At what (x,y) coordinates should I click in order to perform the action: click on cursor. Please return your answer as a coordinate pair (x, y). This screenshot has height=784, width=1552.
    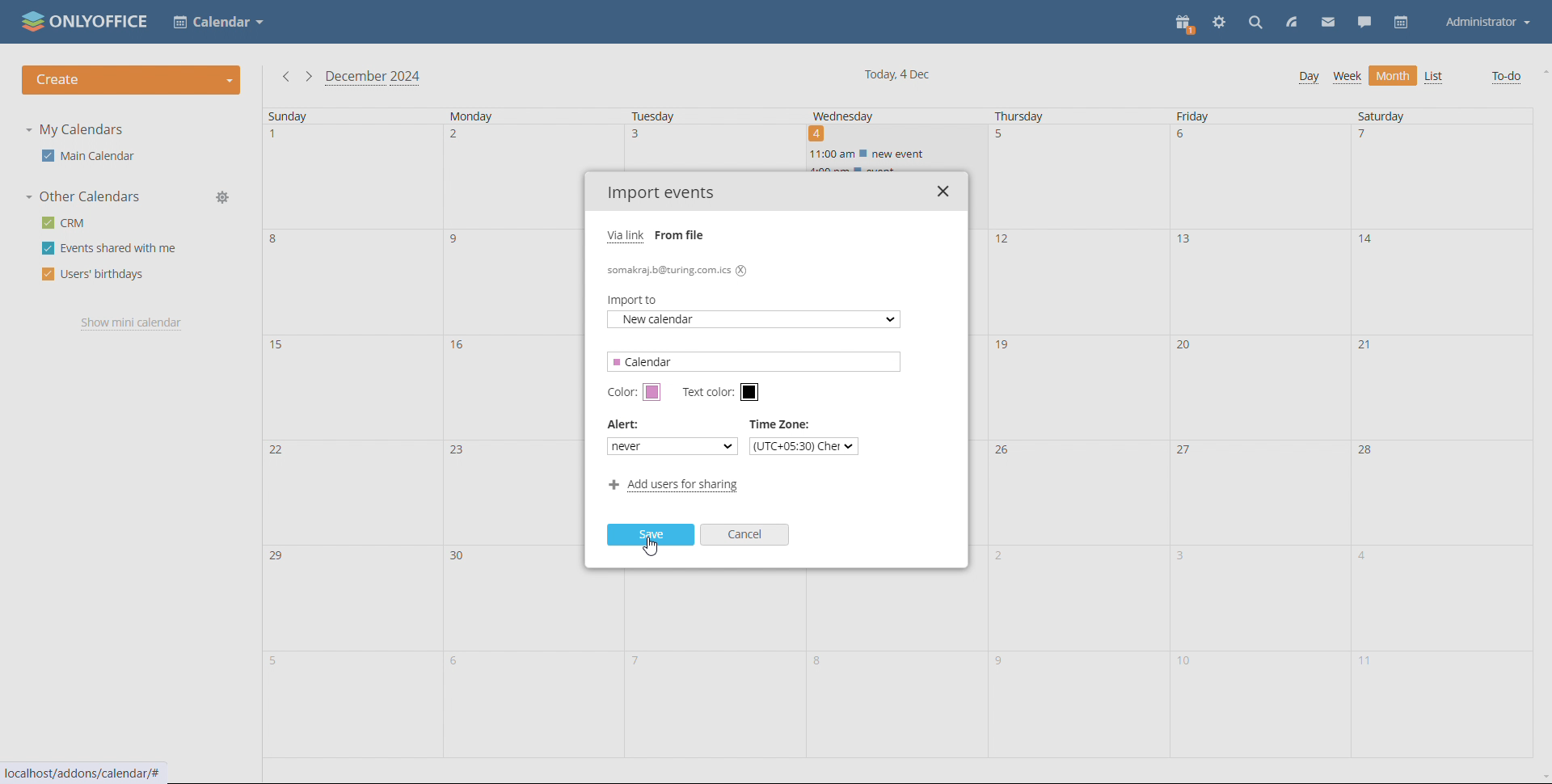
    Looking at the image, I should click on (656, 551).